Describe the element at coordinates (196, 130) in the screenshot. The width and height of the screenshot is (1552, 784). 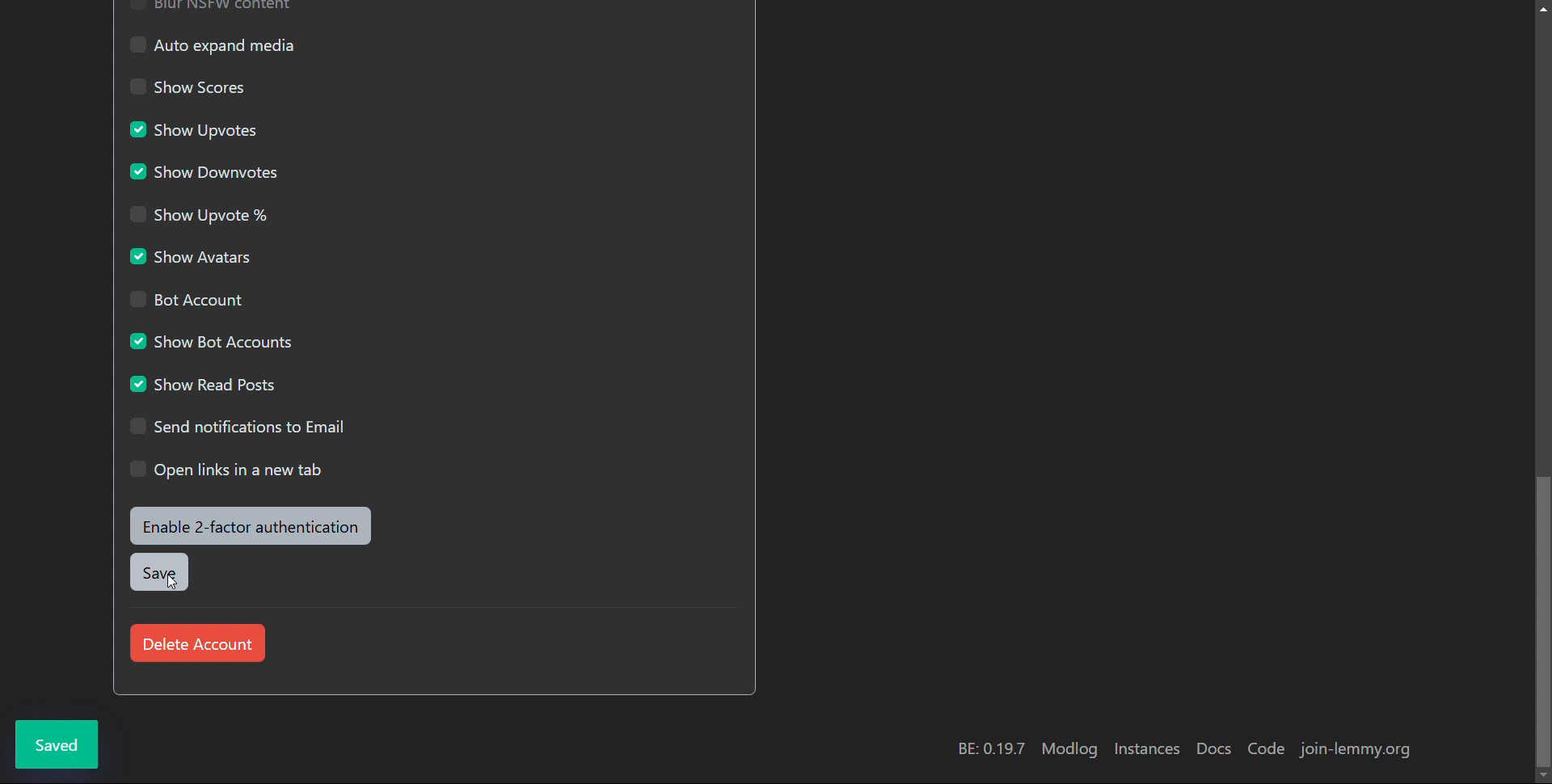
I see `show upvotes` at that location.